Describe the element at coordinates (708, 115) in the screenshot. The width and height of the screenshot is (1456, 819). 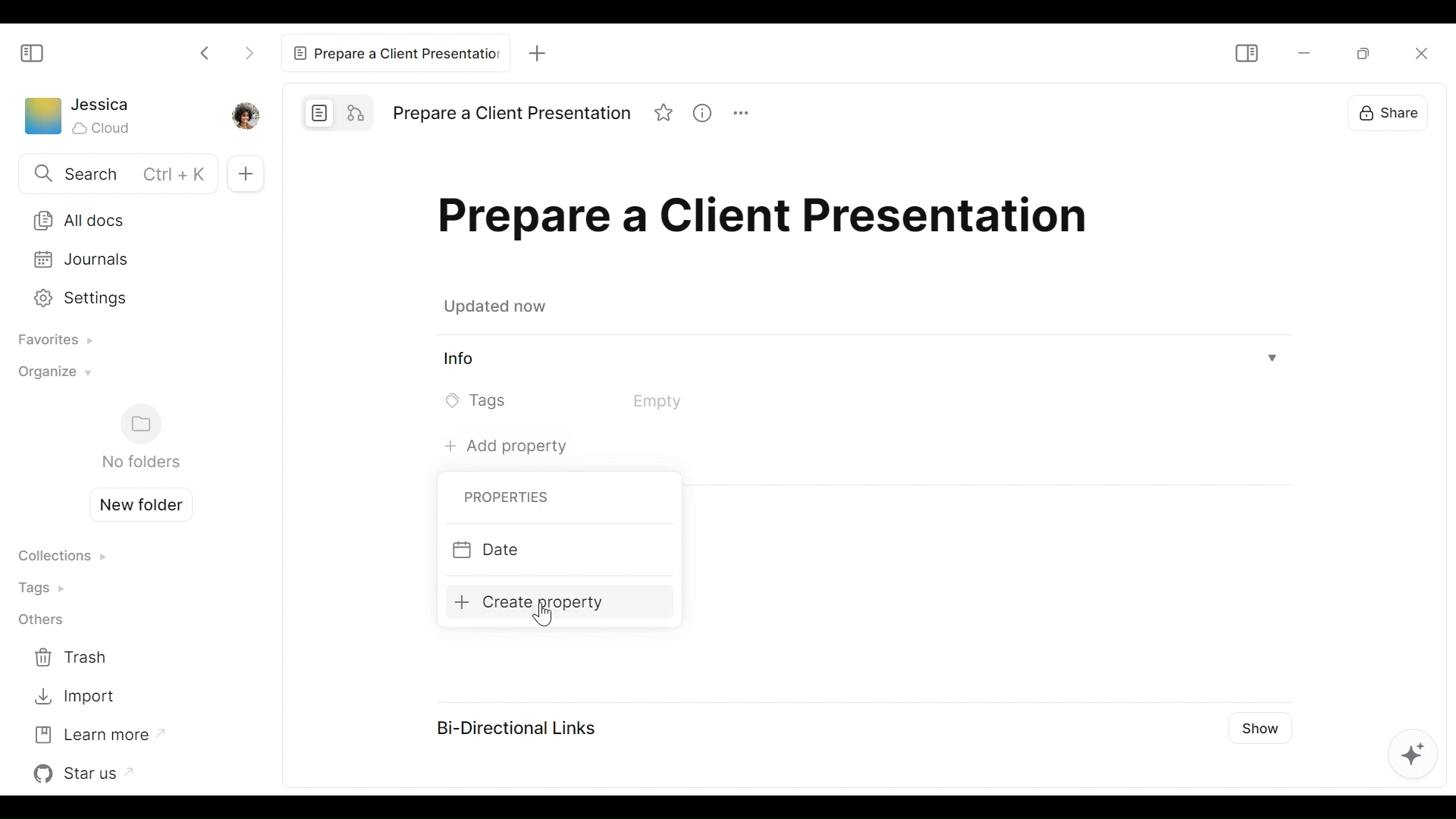
I see `View Information` at that location.